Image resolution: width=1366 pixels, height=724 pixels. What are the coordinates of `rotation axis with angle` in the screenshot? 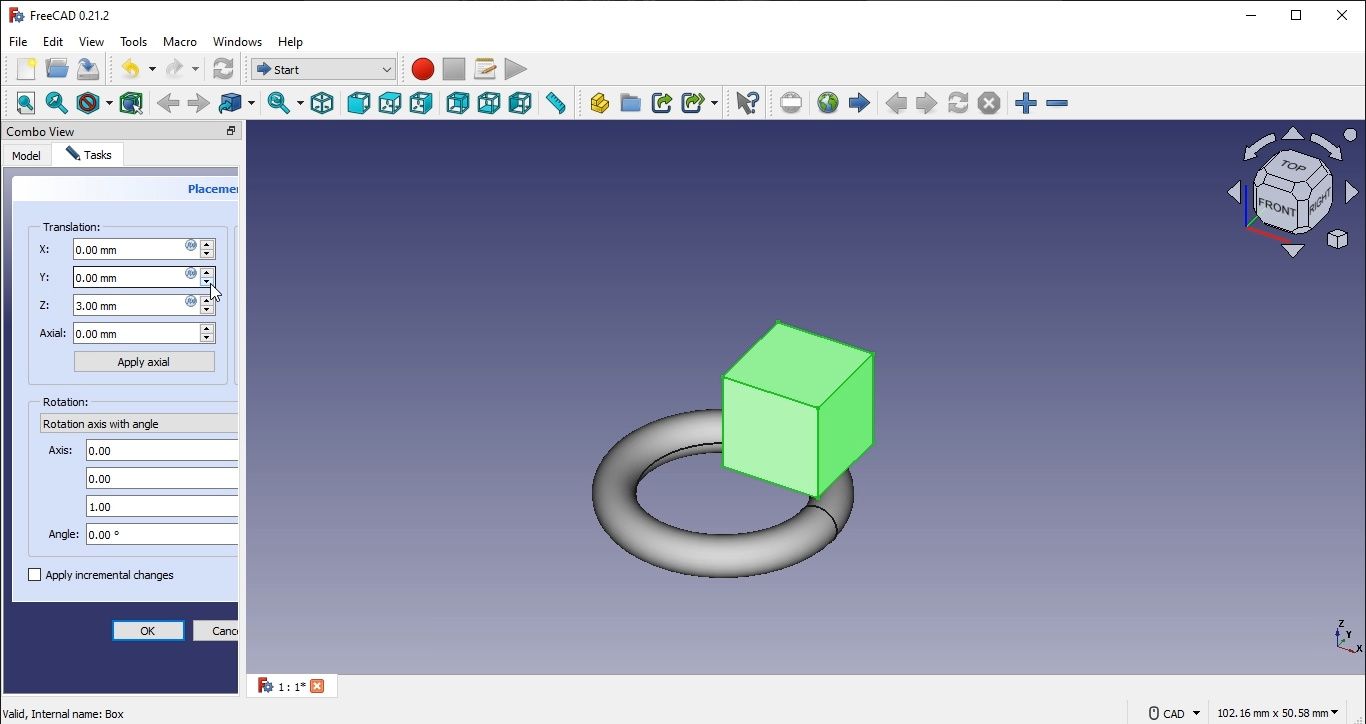 It's located at (108, 426).